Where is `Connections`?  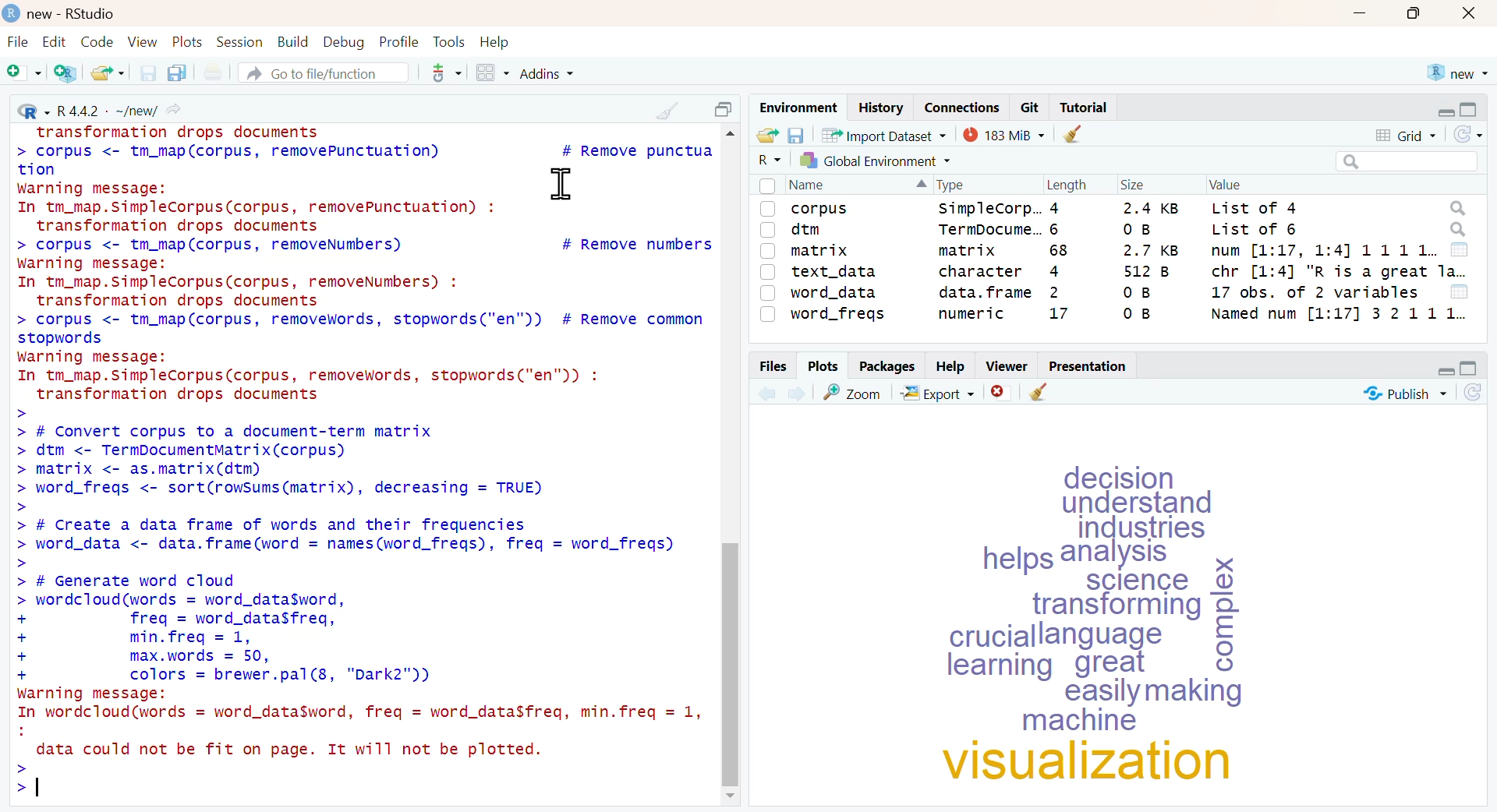
Connections is located at coordinates (963, 107).